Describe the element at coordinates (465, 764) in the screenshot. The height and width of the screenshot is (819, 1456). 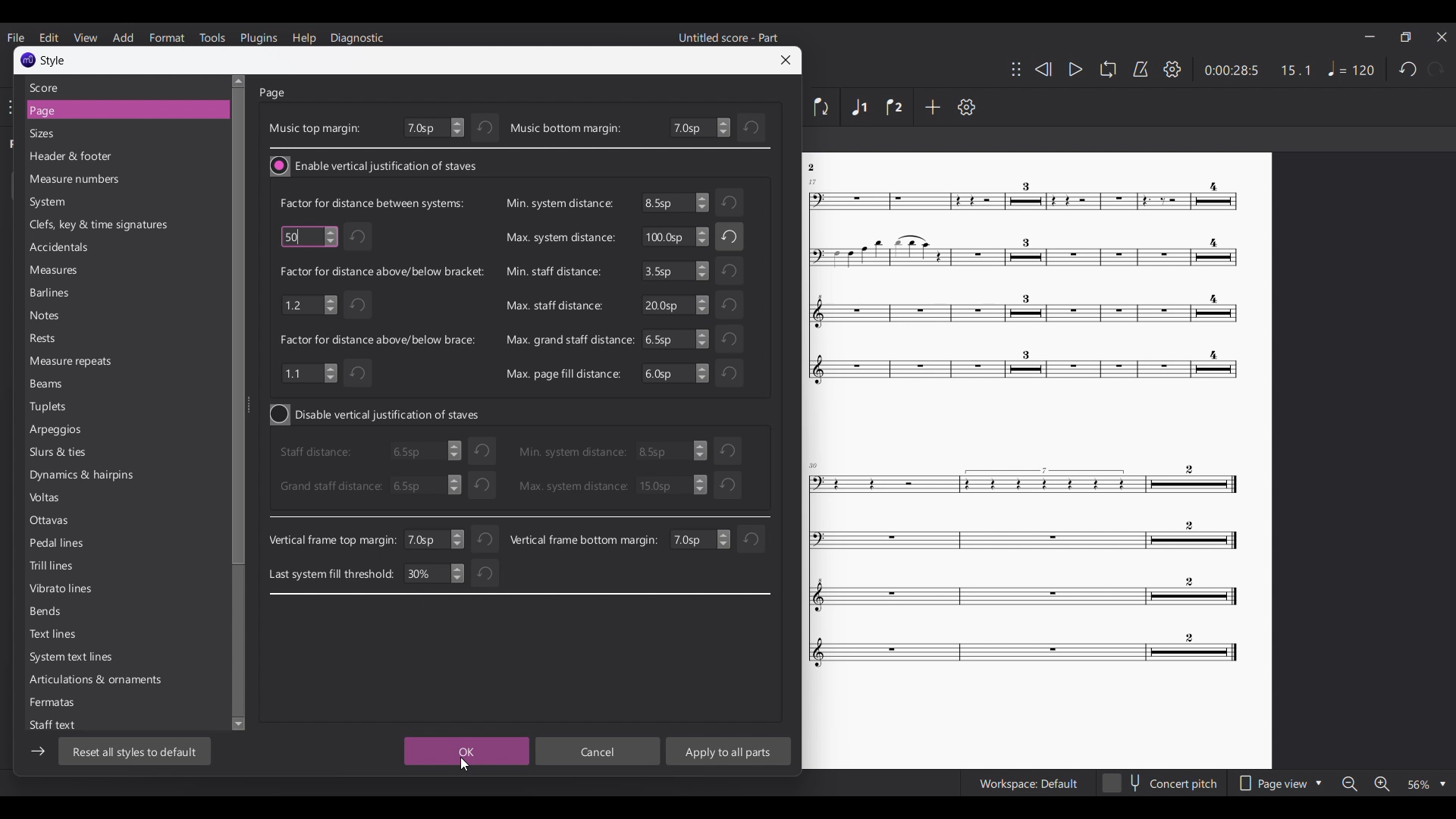
I see `Cursor` at that location.